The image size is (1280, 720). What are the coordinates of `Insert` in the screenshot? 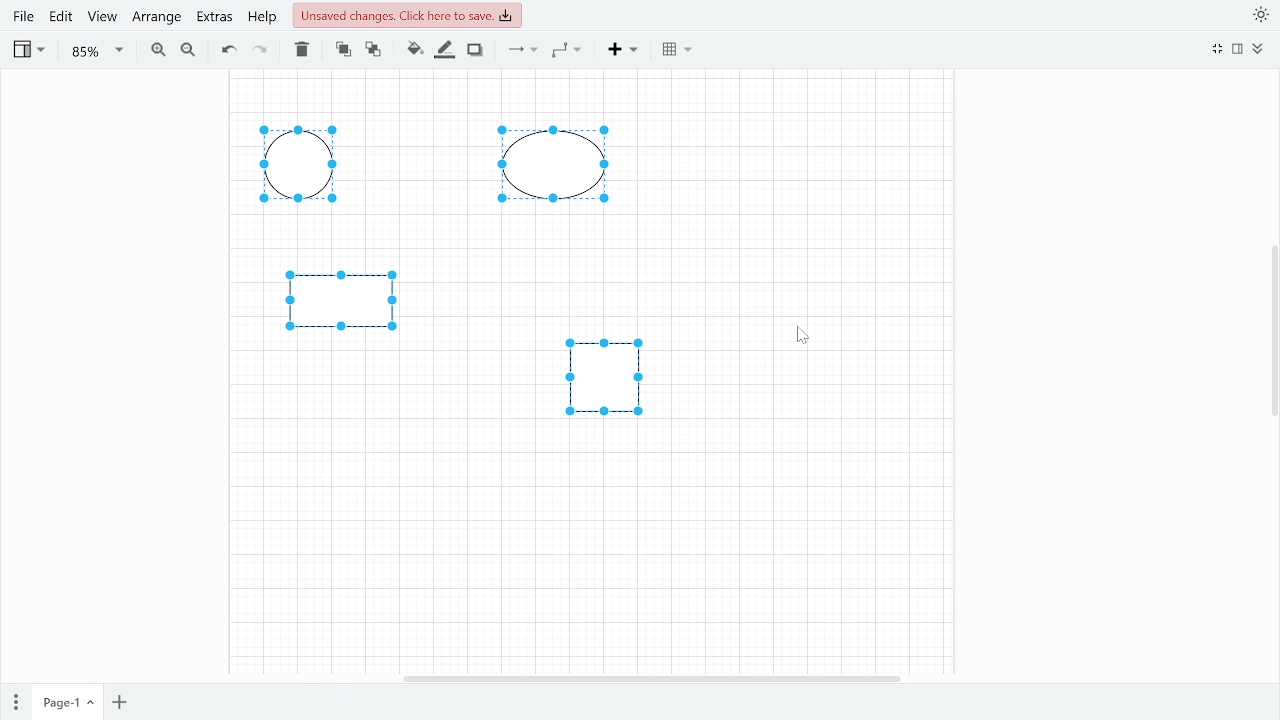 It's located at (626, 52).